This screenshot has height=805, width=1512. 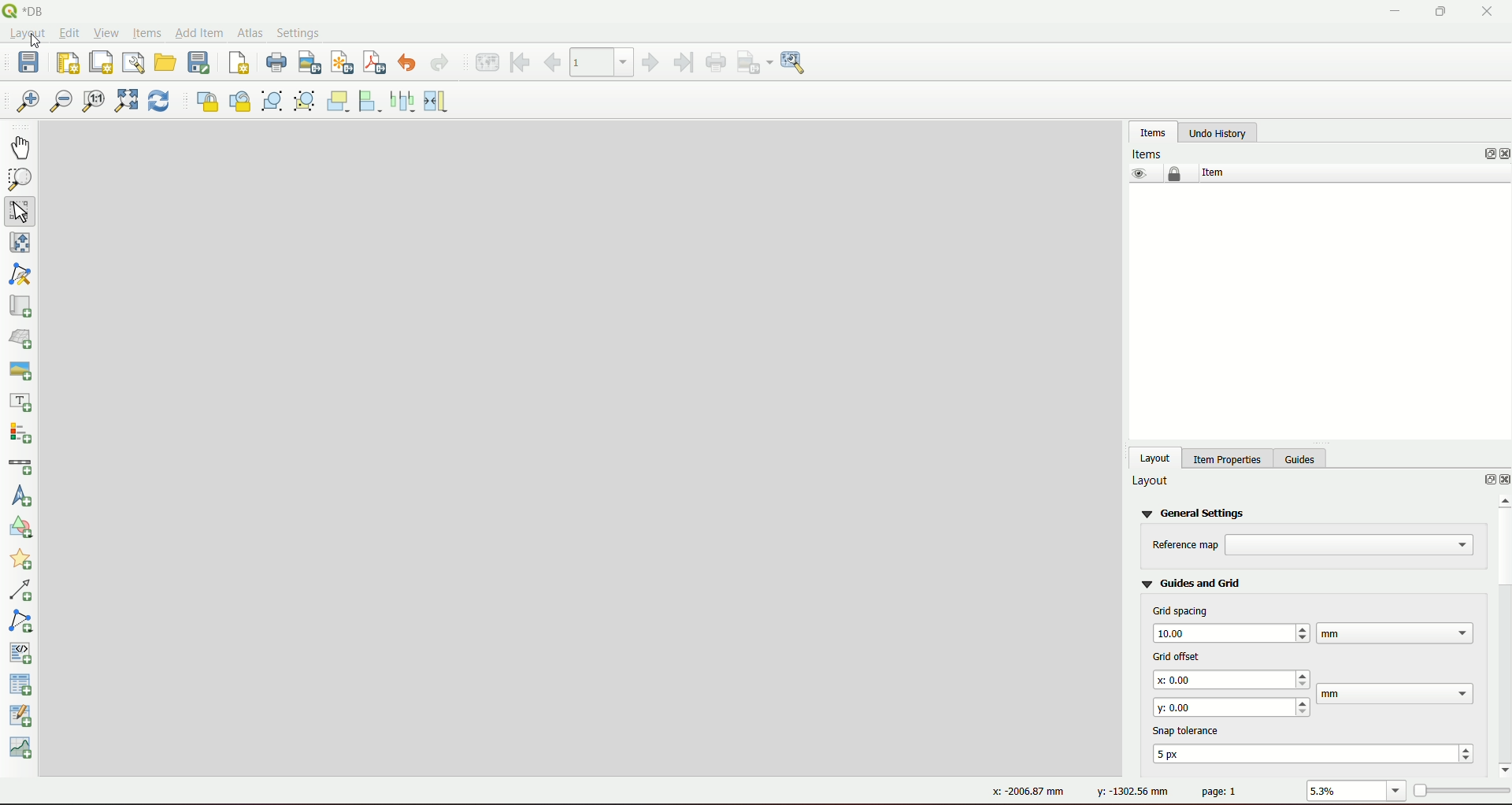 I want to click on edit nodes, so click(x=23, y=276).